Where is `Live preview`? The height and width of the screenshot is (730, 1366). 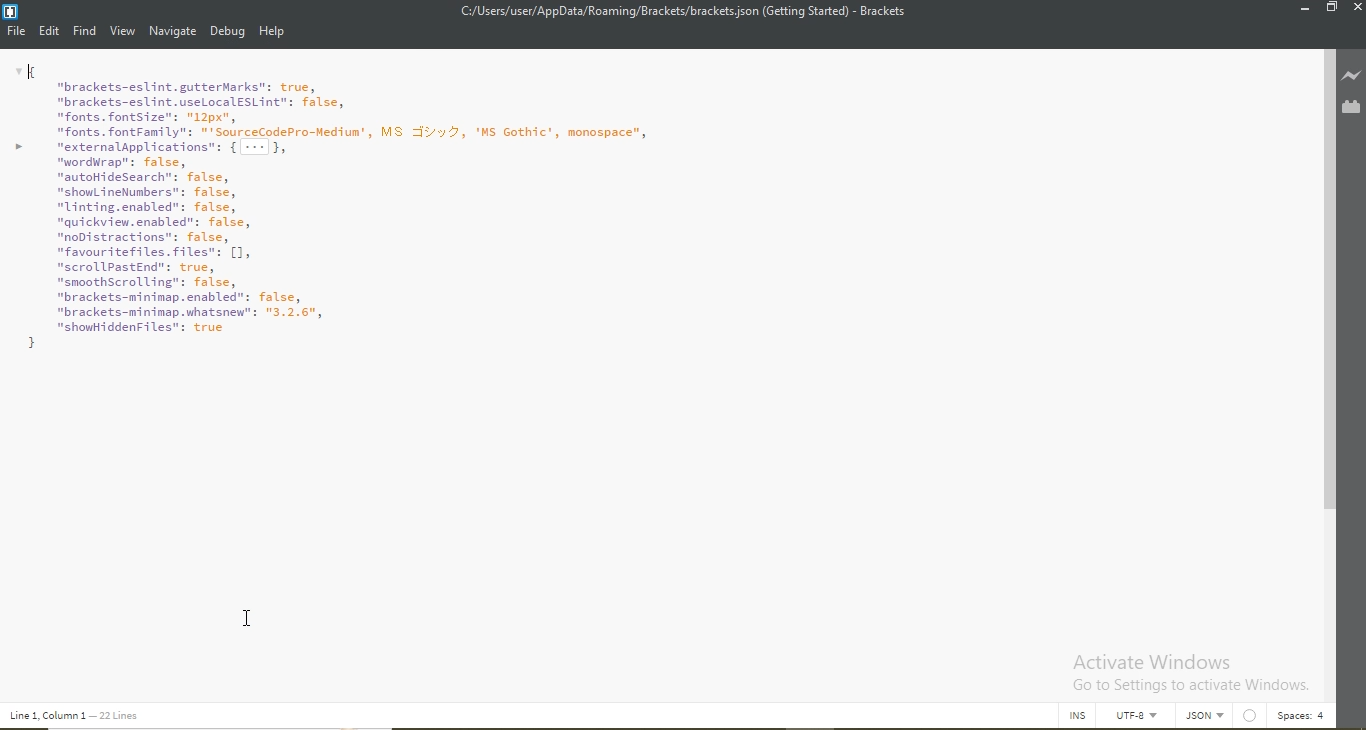 Live preview is located at coordinates (1351, 76).